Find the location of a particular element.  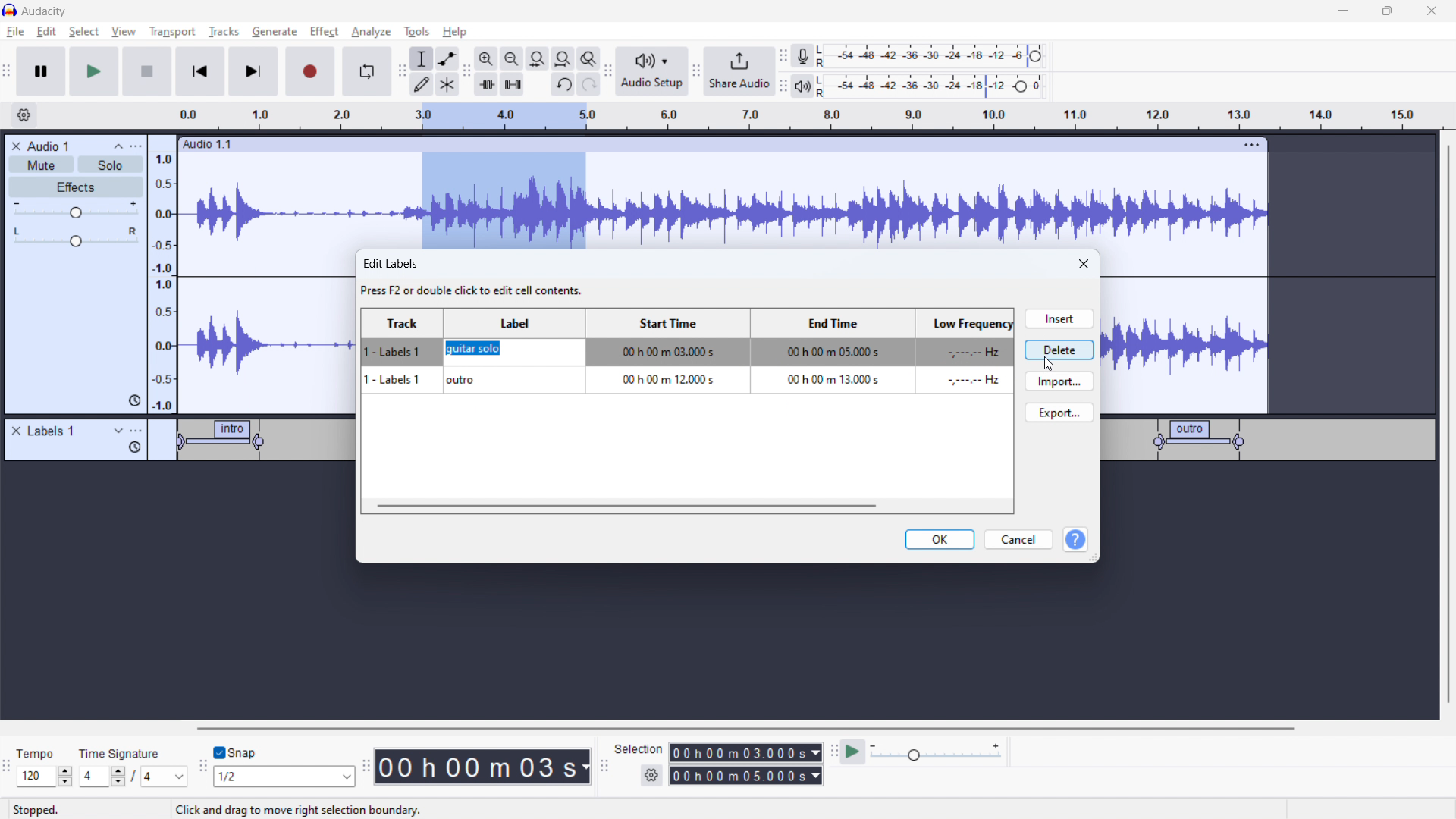

time toolbar is located at coordinates (366, 768).